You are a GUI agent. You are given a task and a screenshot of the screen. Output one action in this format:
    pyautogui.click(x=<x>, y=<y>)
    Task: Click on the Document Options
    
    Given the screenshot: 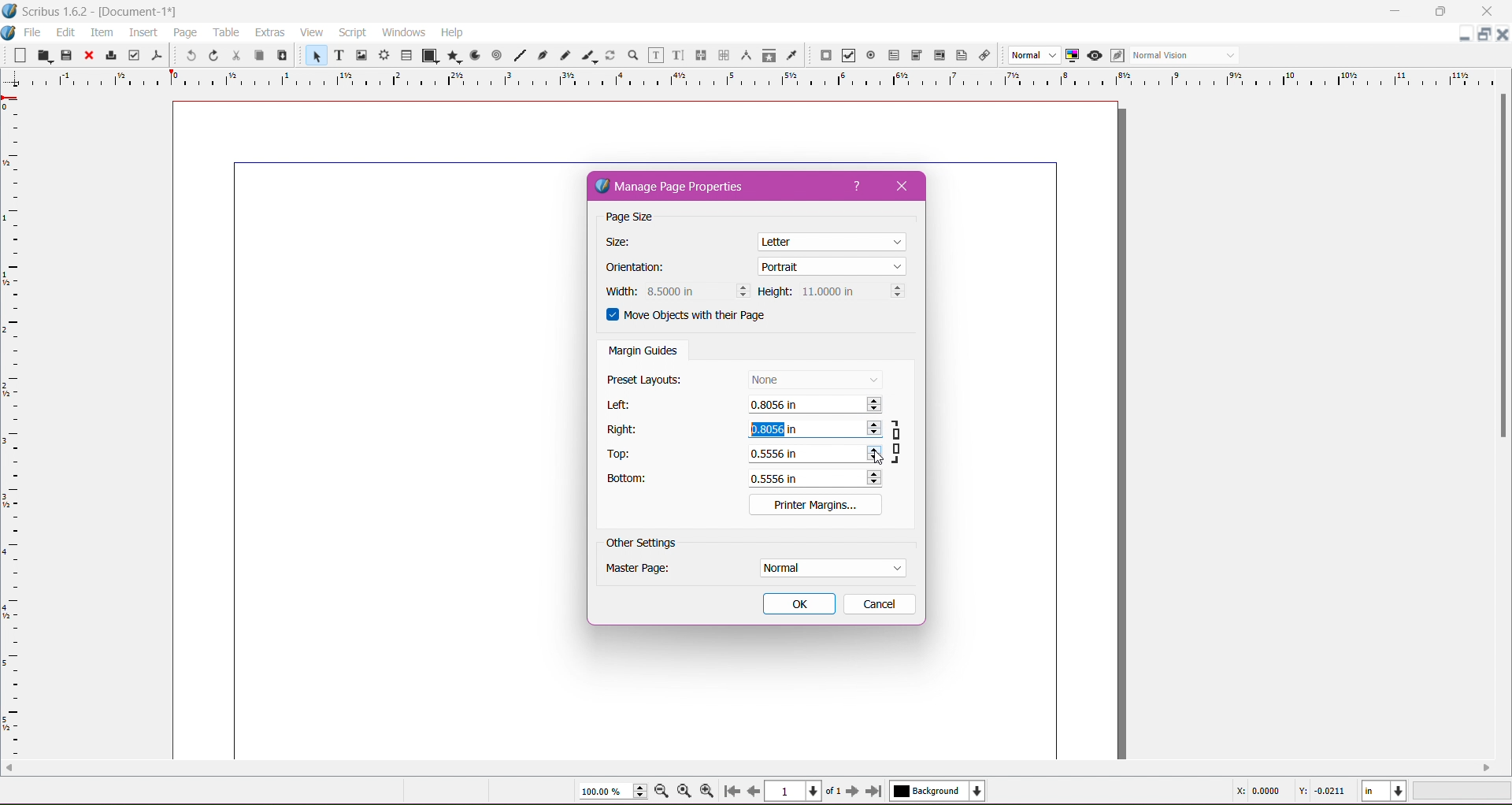 What is the action you would take?
    pyautogui.click(x=9, y=31)
    